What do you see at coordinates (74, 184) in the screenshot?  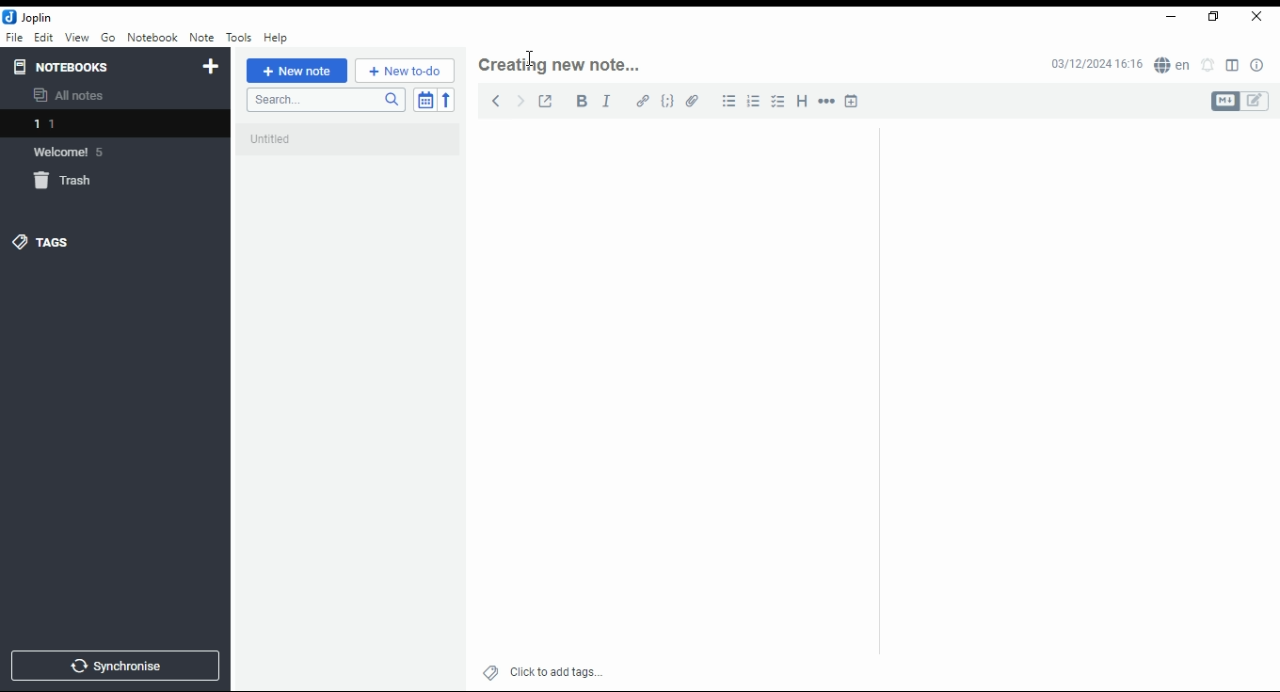 I see `trash` at bounding box center [74, 184].